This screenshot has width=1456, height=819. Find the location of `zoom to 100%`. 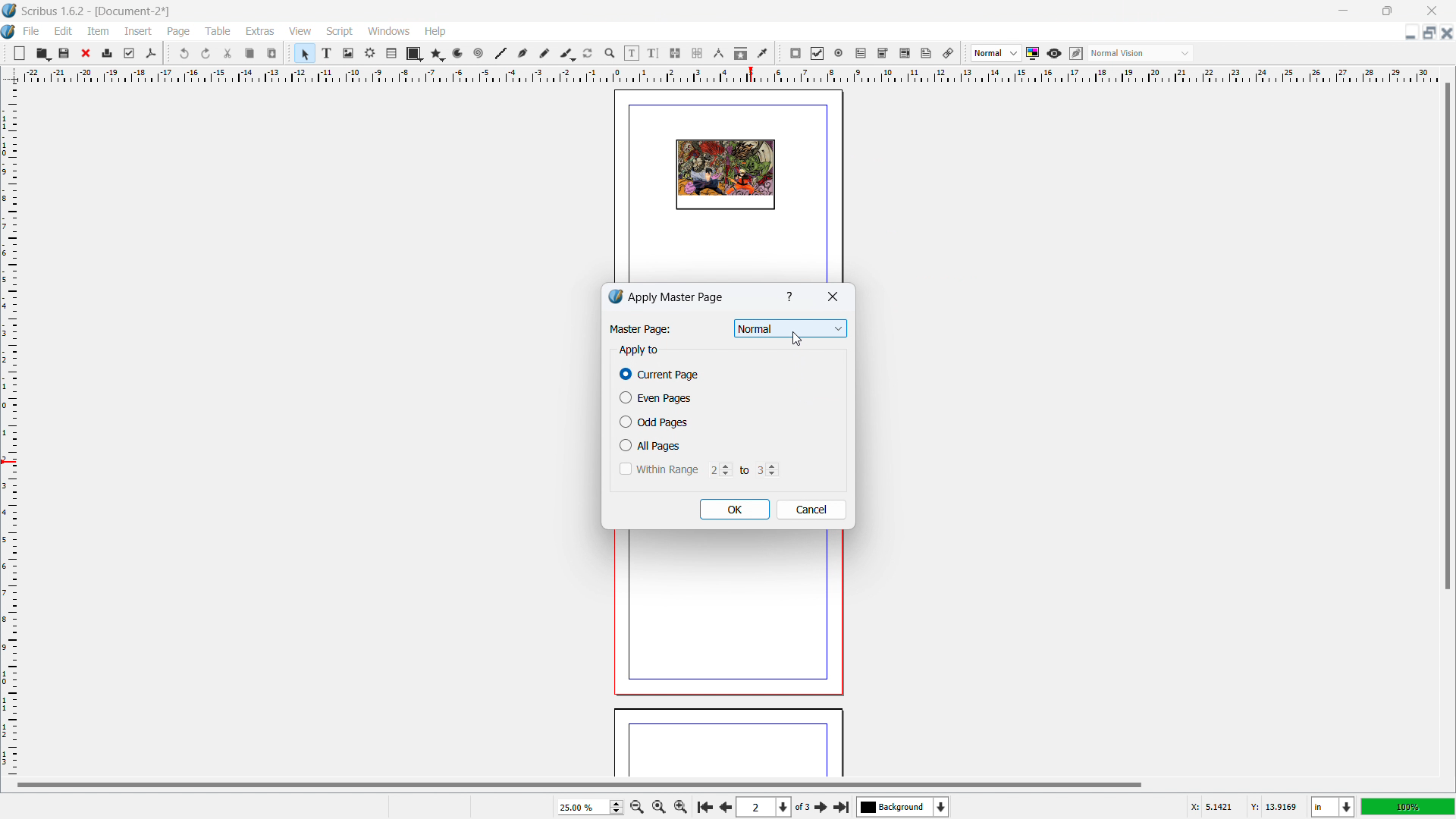

zoom to 100% is located at coordinates (658, 805).